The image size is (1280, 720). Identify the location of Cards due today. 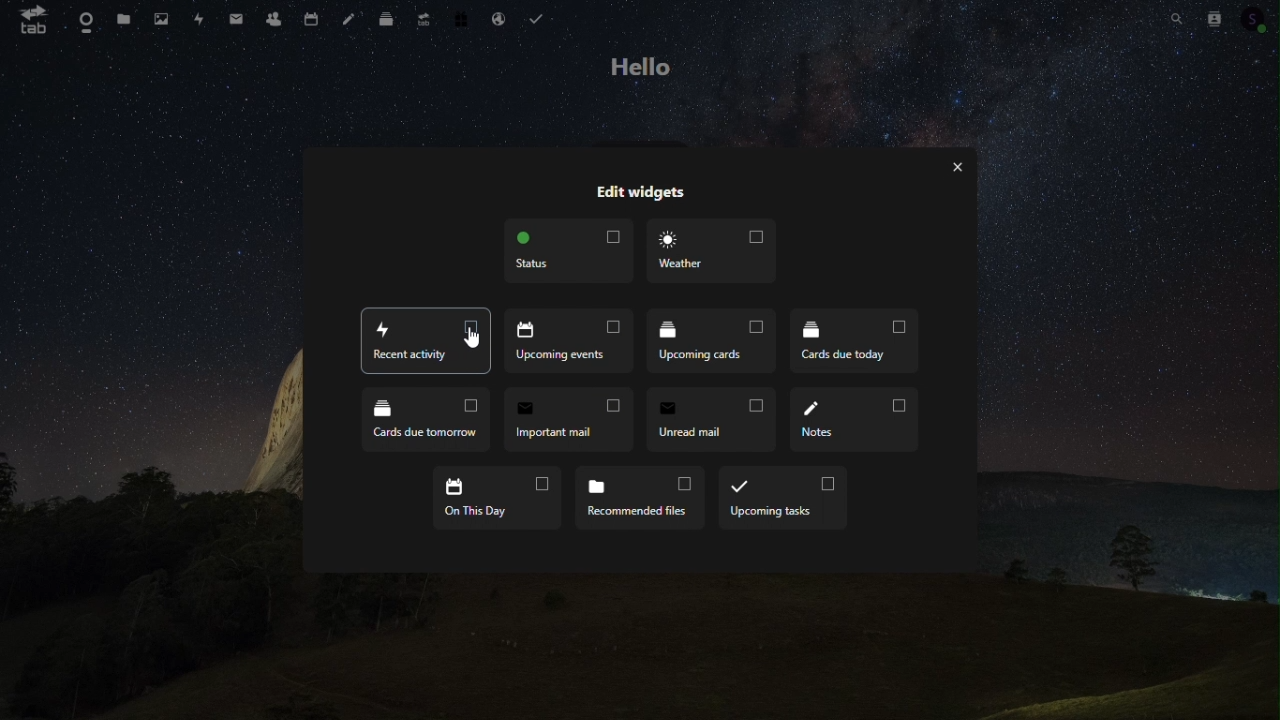
(854, 340).